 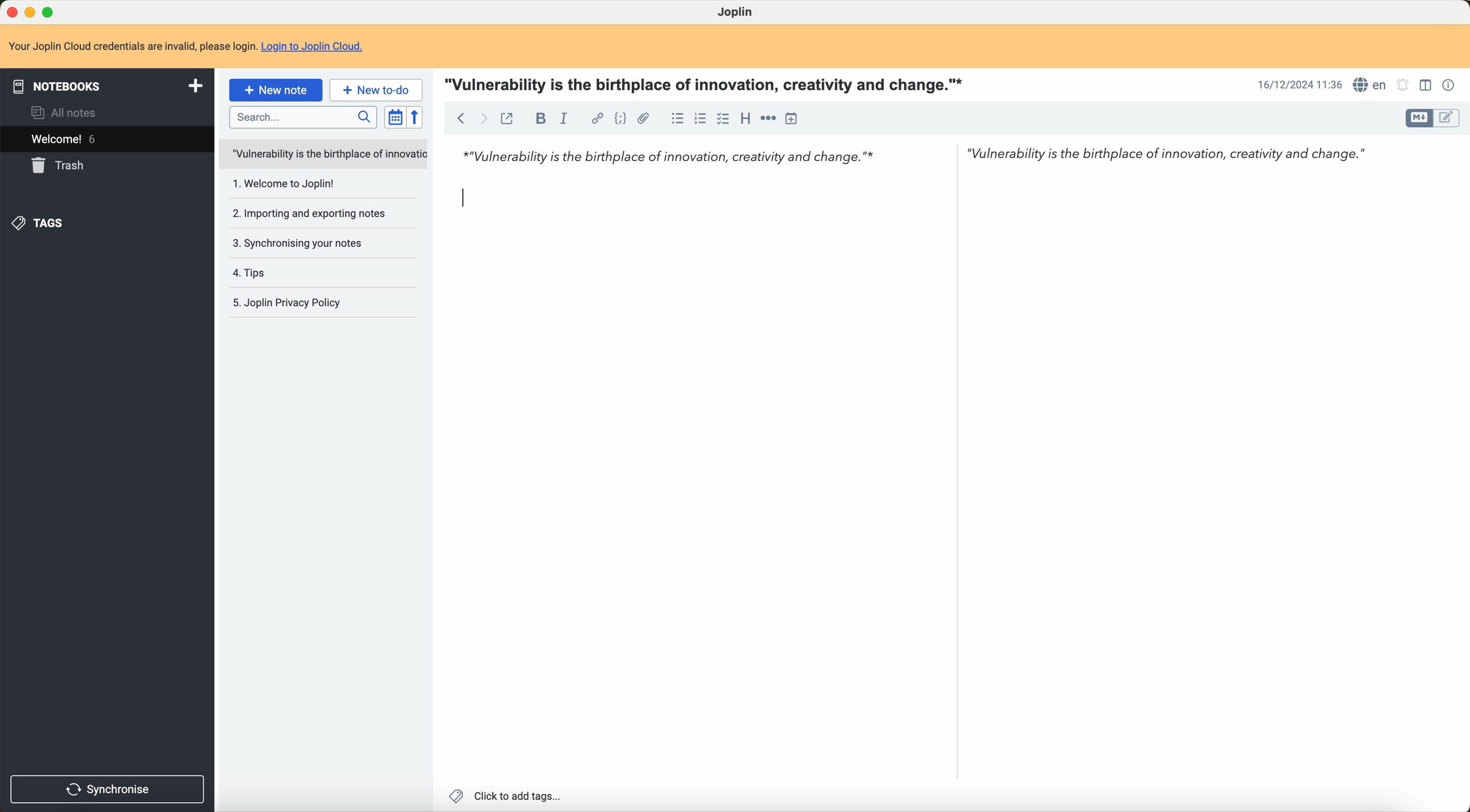 I want to click on numbered list, so click(x=701, y=120).